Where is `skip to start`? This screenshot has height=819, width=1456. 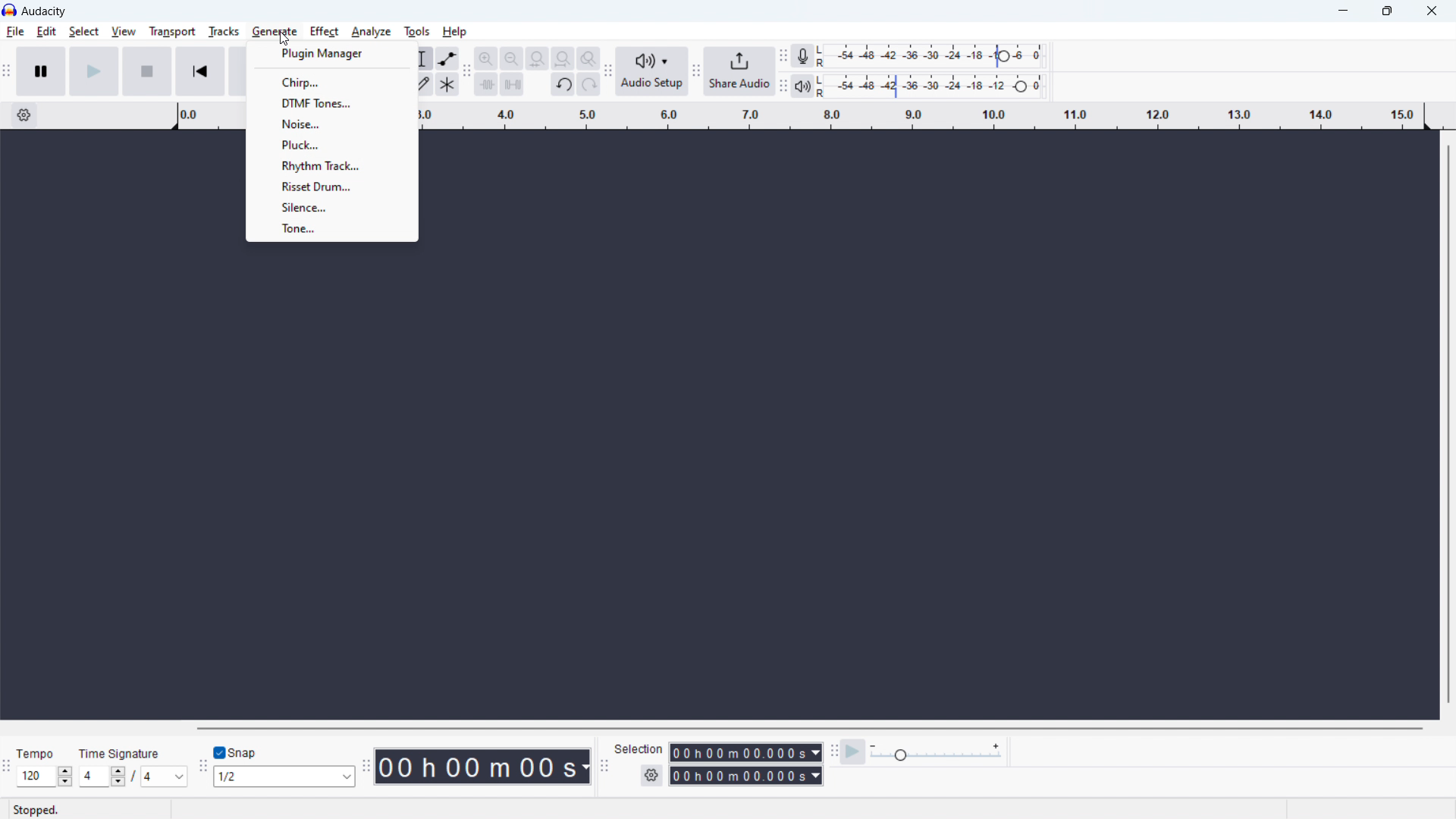
skip to start is located at coordinates (200, 71).